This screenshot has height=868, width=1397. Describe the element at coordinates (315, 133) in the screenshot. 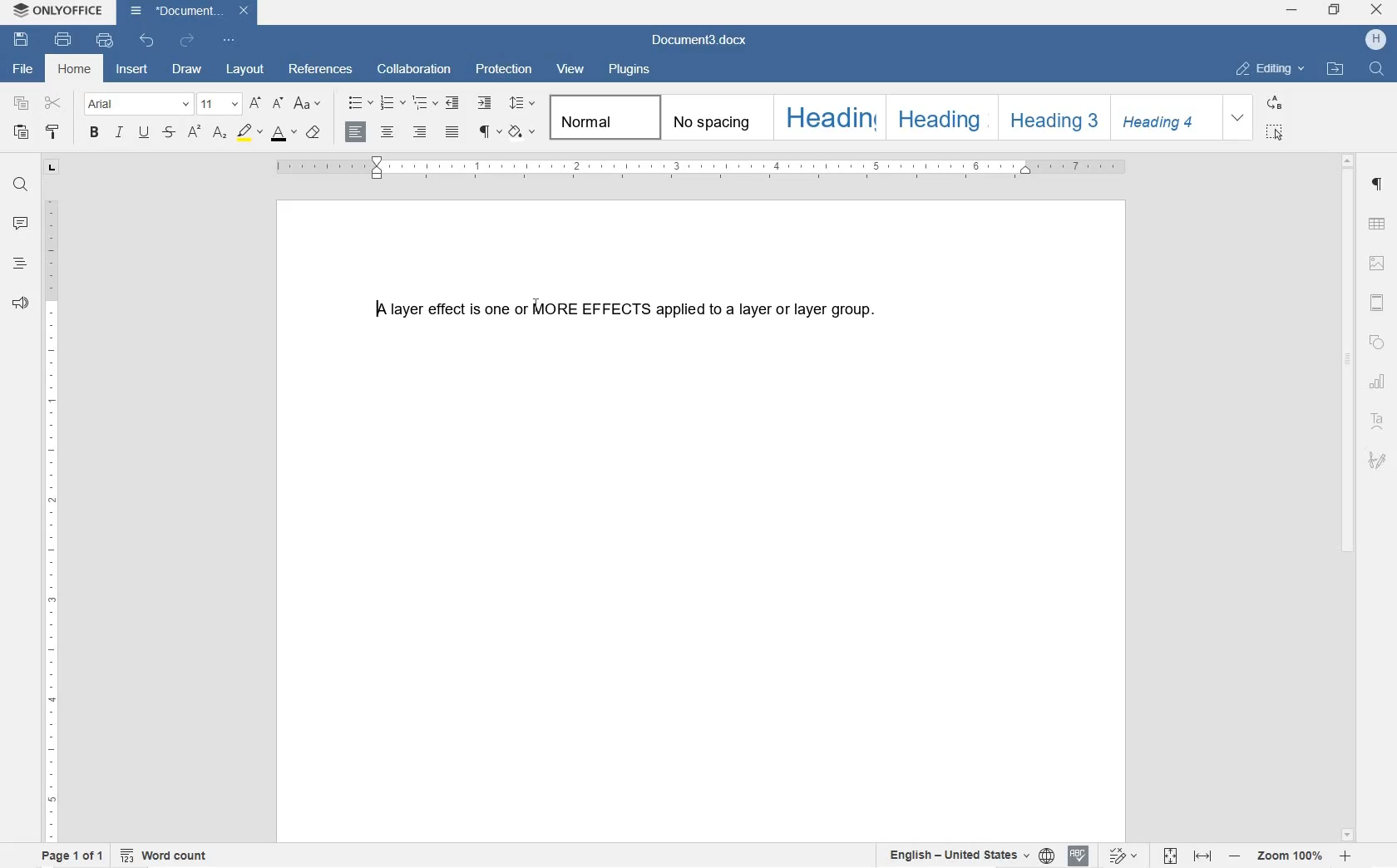

I see `CLEAR STYLE` at that location.